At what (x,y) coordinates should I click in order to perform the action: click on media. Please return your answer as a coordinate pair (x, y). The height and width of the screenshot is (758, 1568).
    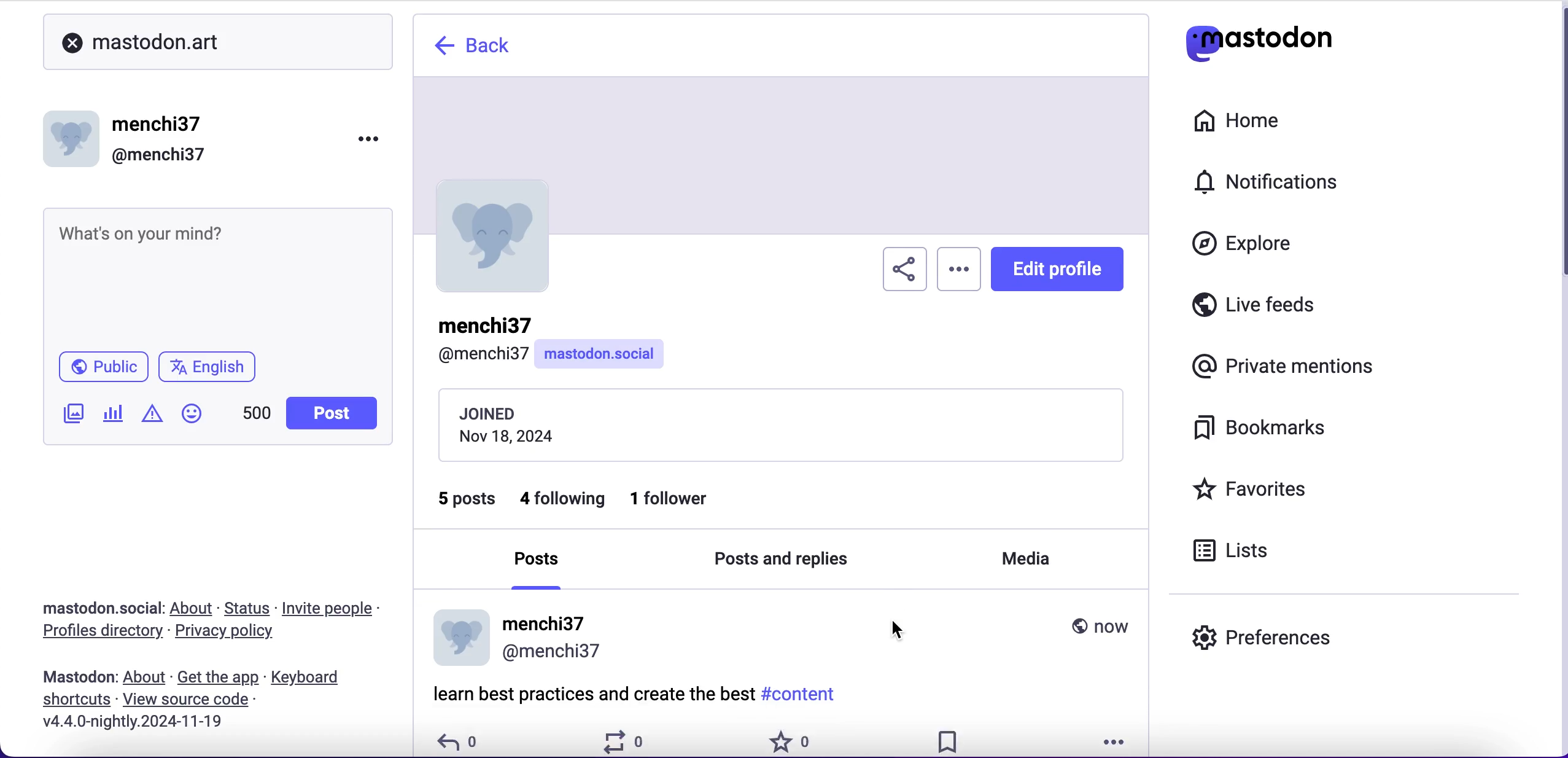
    Looking at the image, I should click on (1024, 564).